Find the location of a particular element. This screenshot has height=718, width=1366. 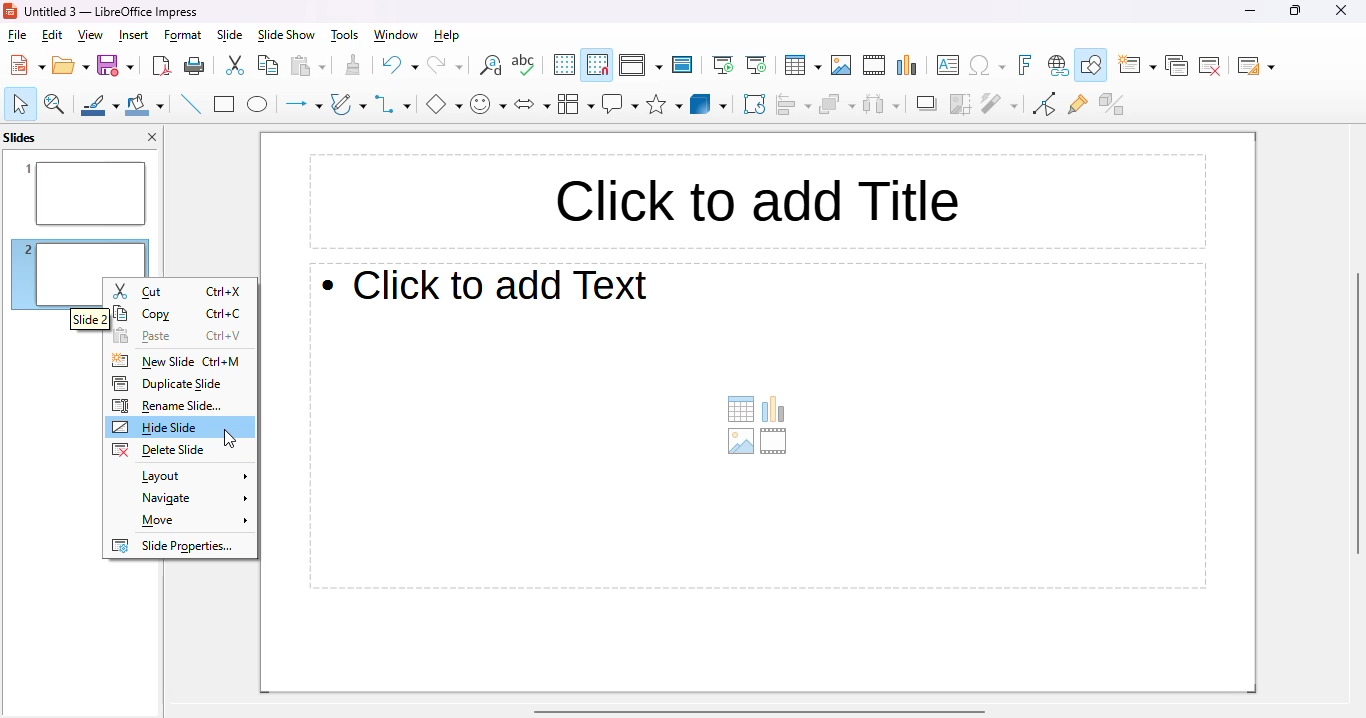

duplicate slide is located at coordinates (166, 383).